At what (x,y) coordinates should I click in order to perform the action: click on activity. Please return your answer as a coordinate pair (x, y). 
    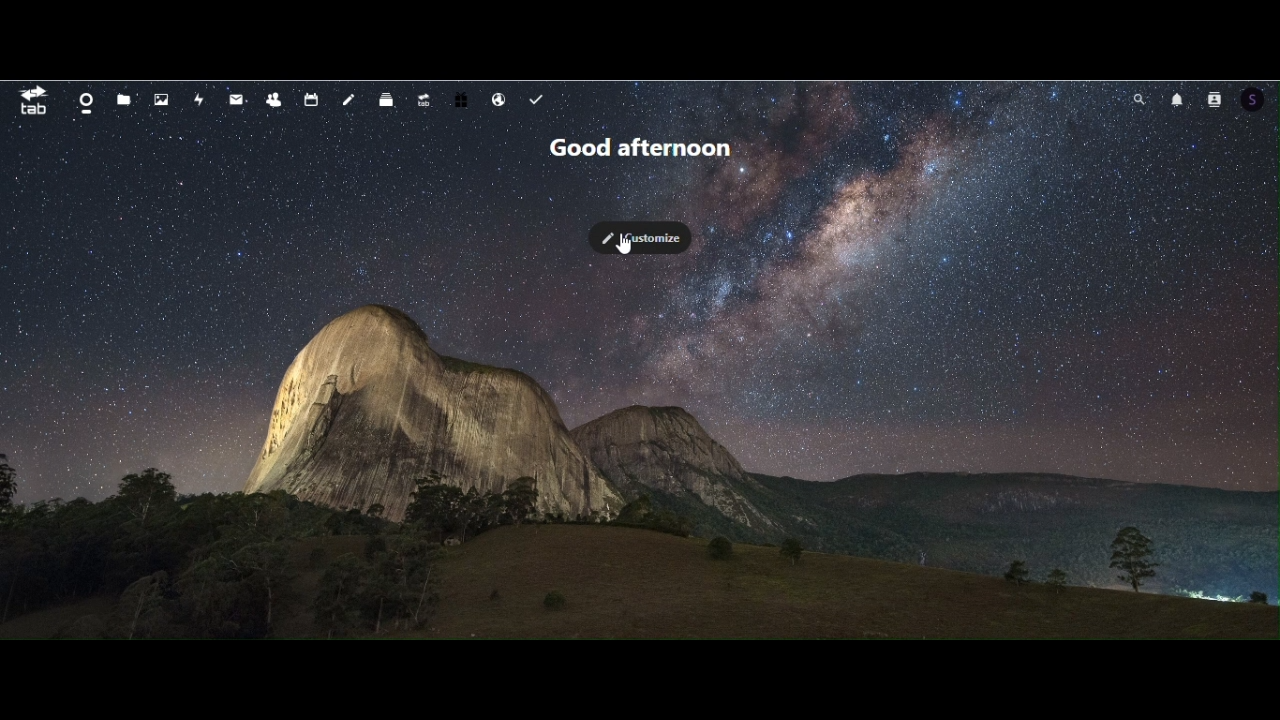
    Looking at the image, I should click on (203, 101).